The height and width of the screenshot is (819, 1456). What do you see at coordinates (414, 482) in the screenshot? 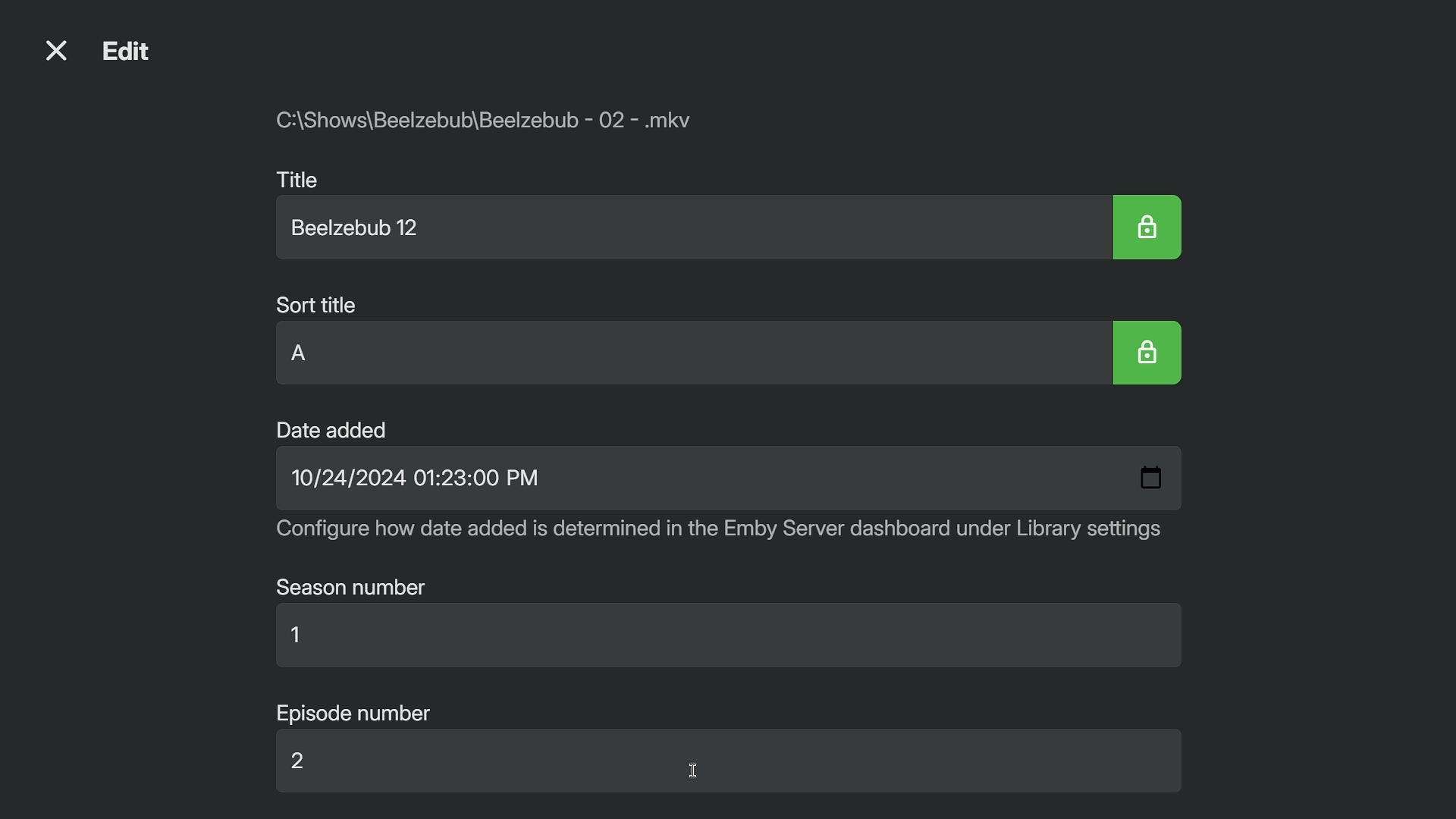
I see `Date and time` at bounding box center [414, 482].